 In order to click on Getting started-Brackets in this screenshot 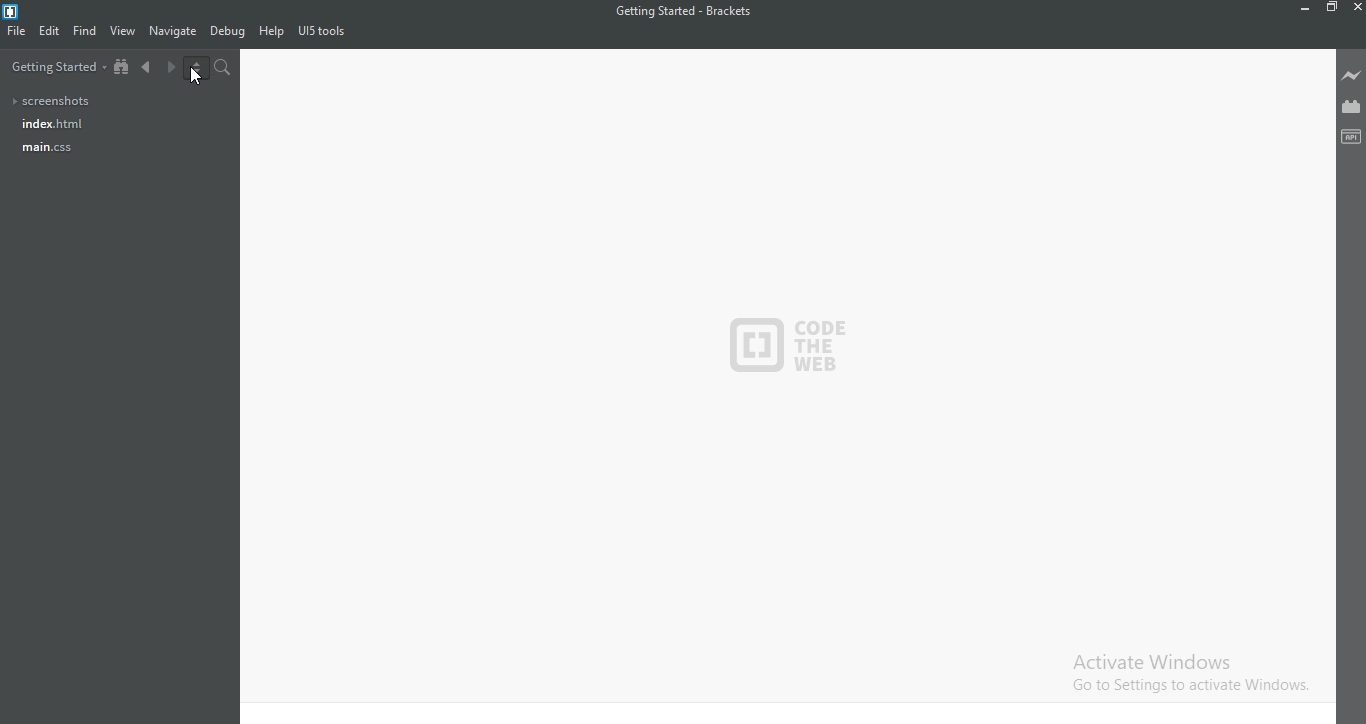, I will do `click(682, 12)`.